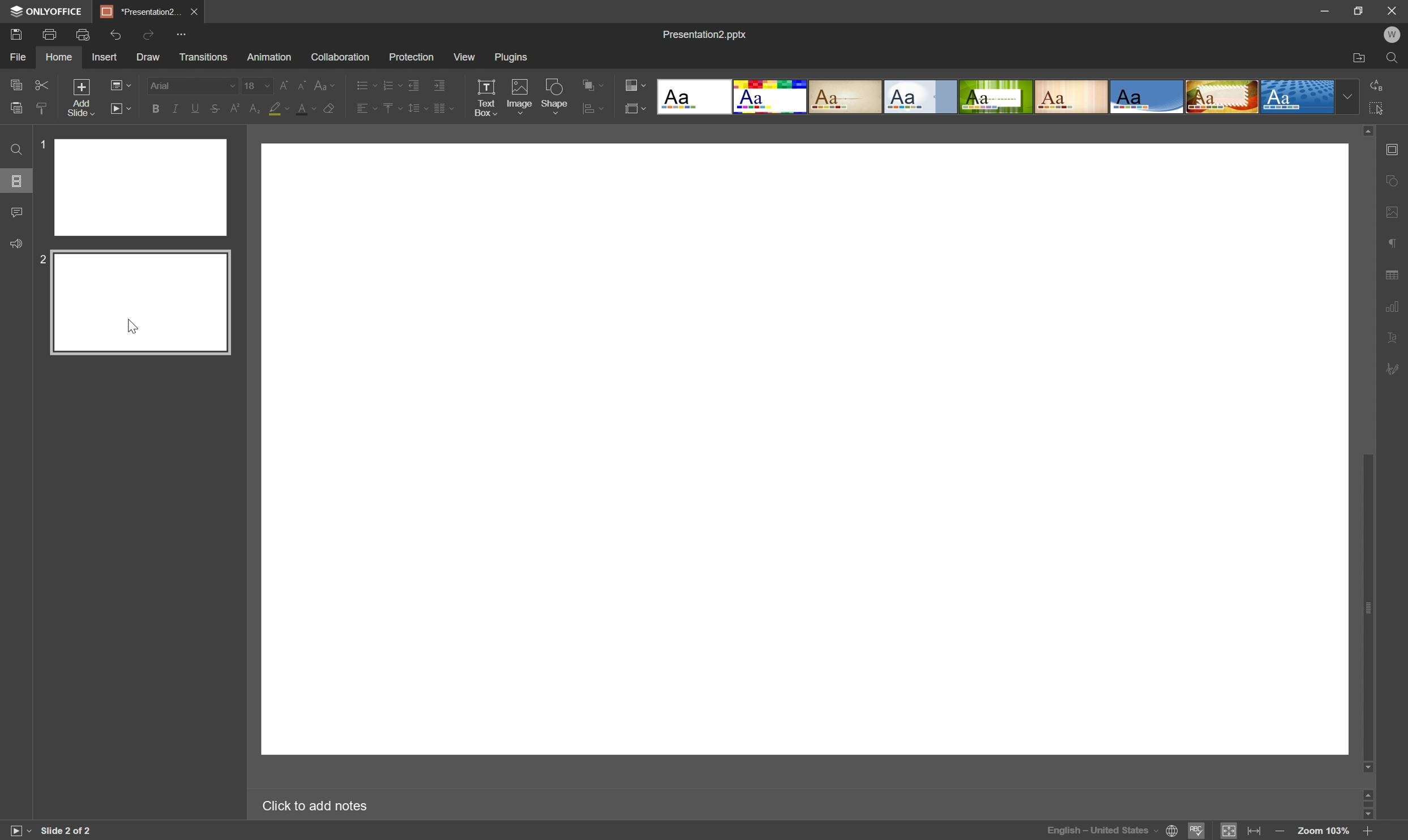  What do you see at coordinates (267, 57) in the screenshot?
I see `Animation` at bounding box center [267, 57].